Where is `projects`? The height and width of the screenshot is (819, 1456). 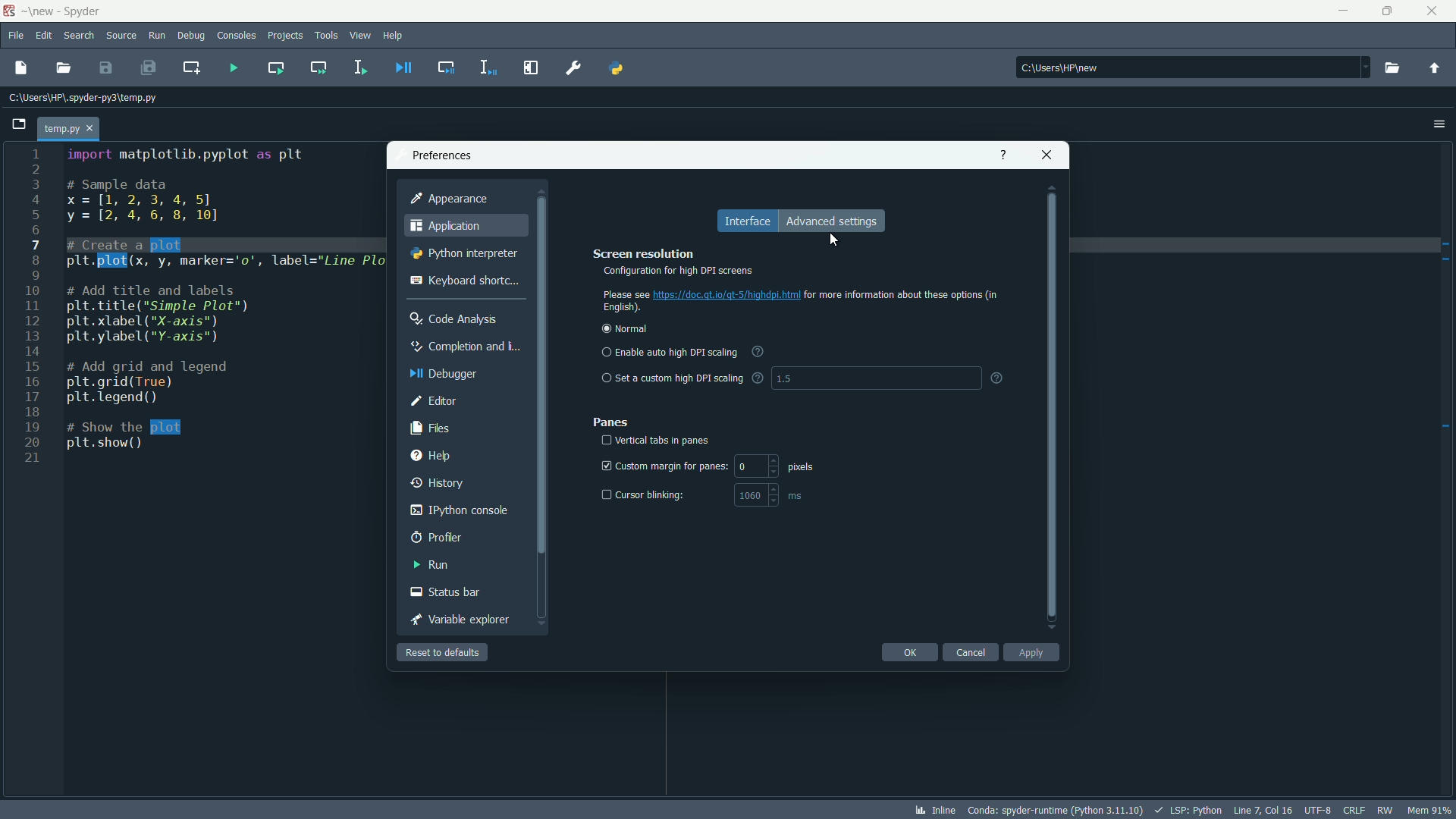
projects is located at coordinates (286, 36).